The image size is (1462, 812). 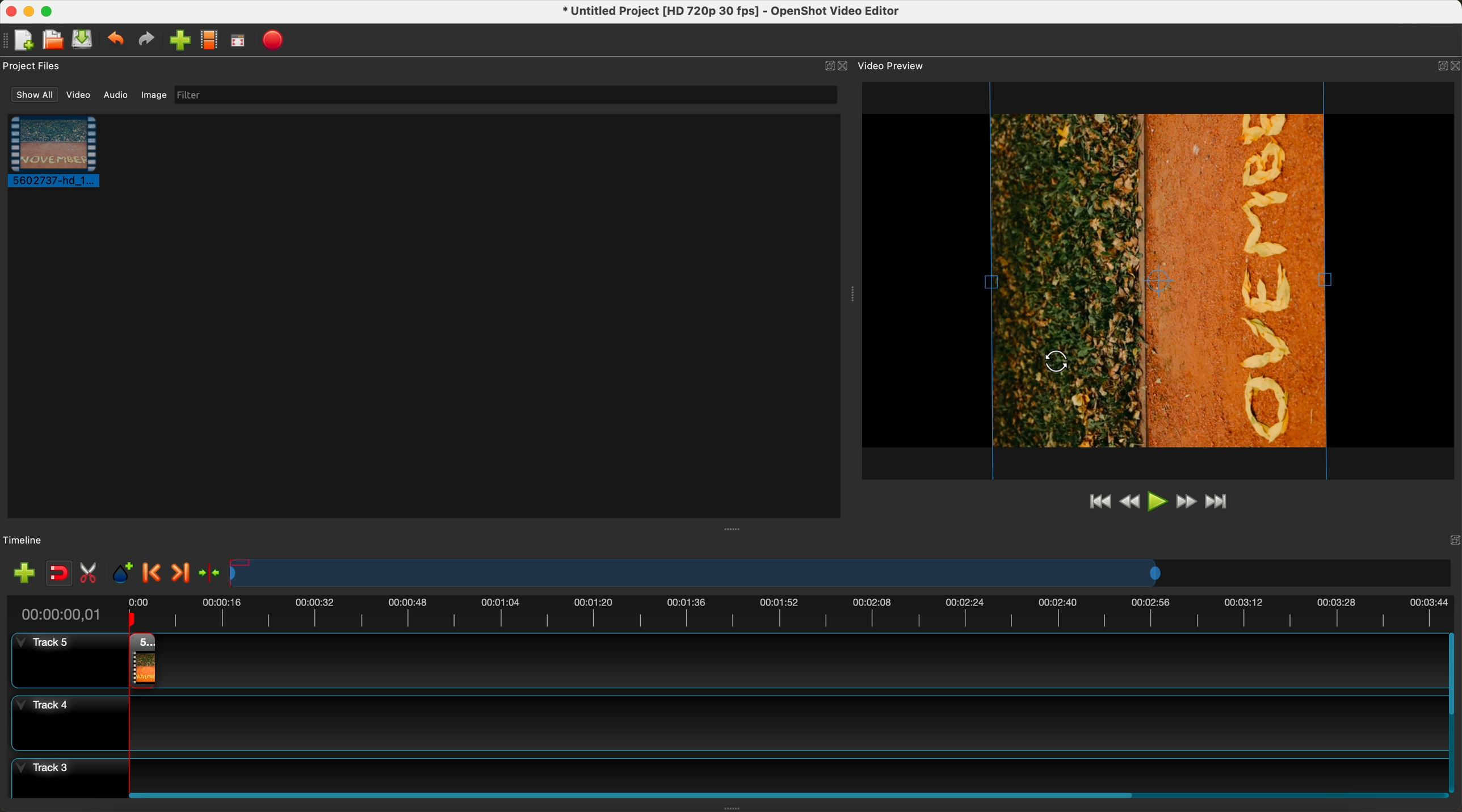 What do you see at coordinates (1224, 503) in the screenshot?
I see `jump to end` at bounding box center [1224, 503].